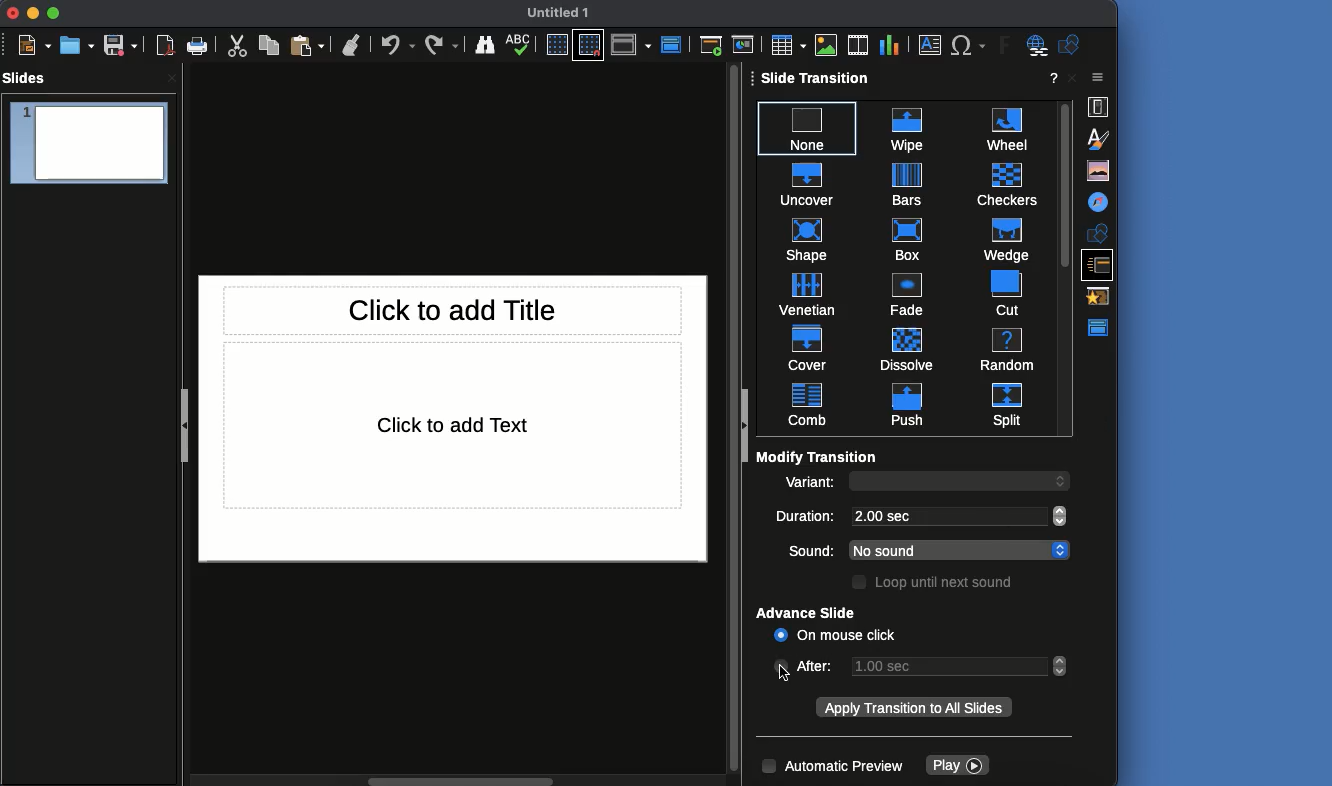  I want to click on scroll, so click(458, 779).